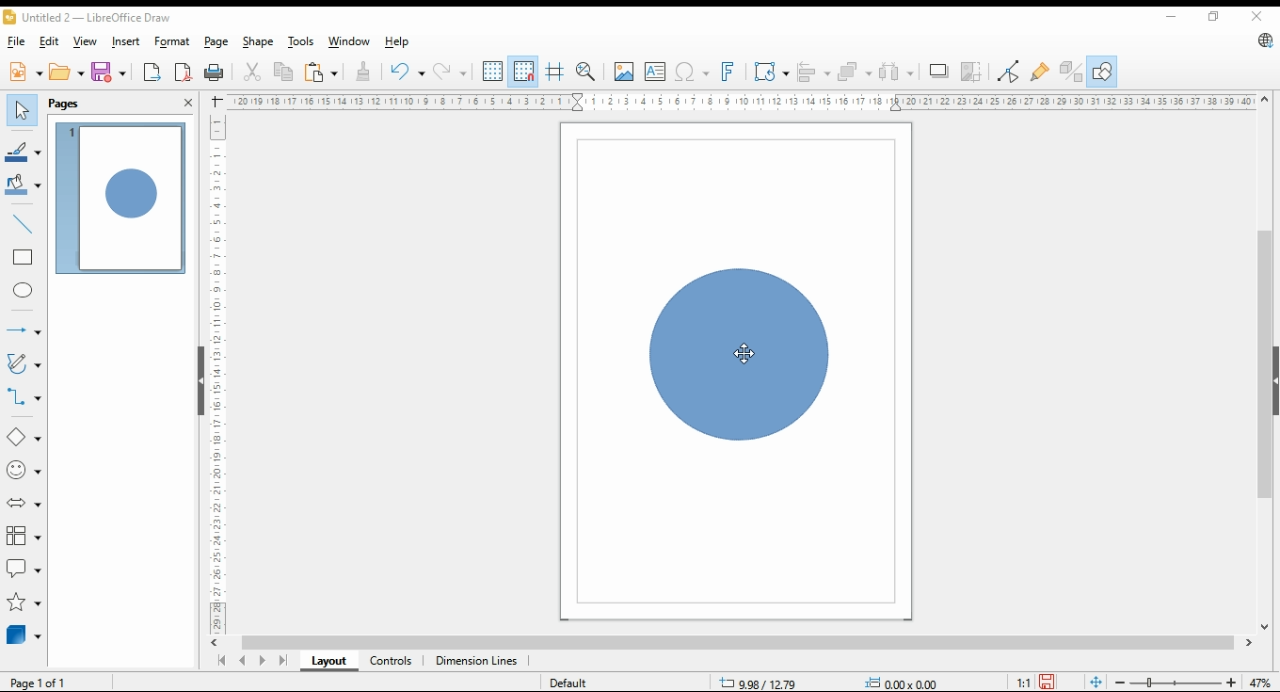  Describe the element at coordinates (1257, 16) in the screenshot. I see `close window` at that location.